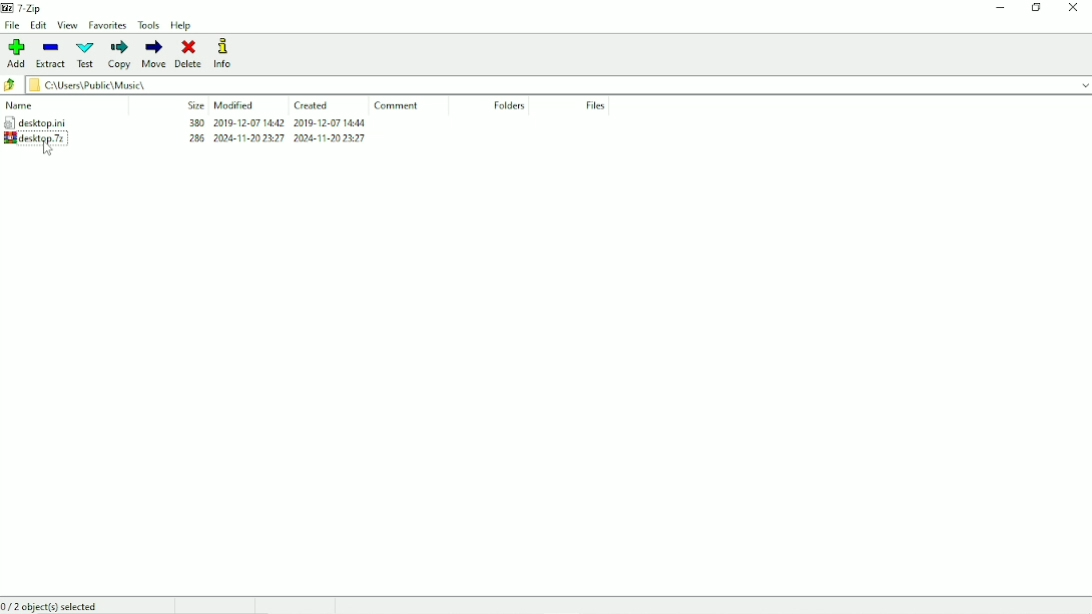 The image size is (1092, 614). Describe the element at coordinates (118, 54) in the screenshot. I see `Copy` at that location.